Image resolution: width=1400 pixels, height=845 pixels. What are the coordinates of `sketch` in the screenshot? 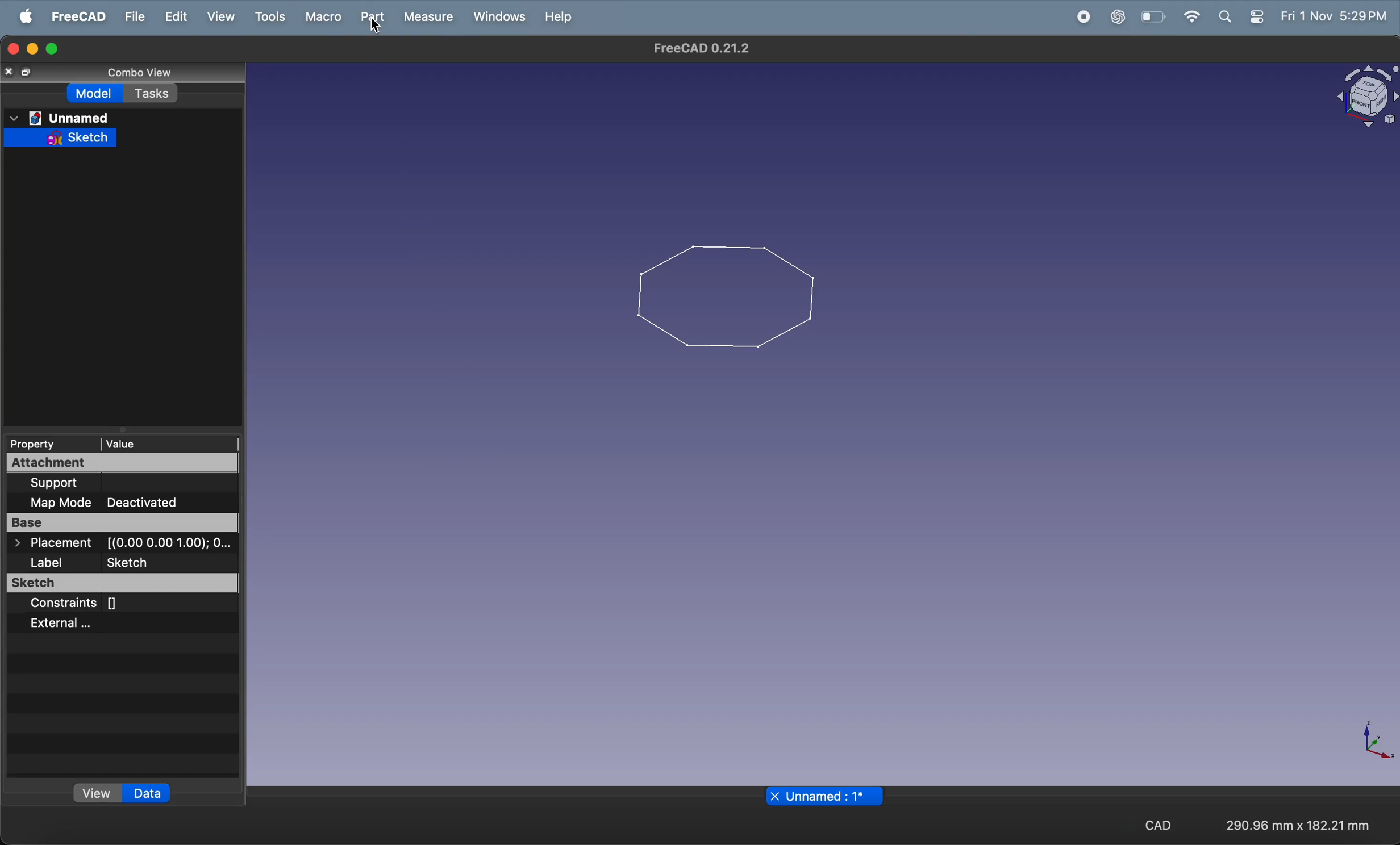 It's located at (61, 137).